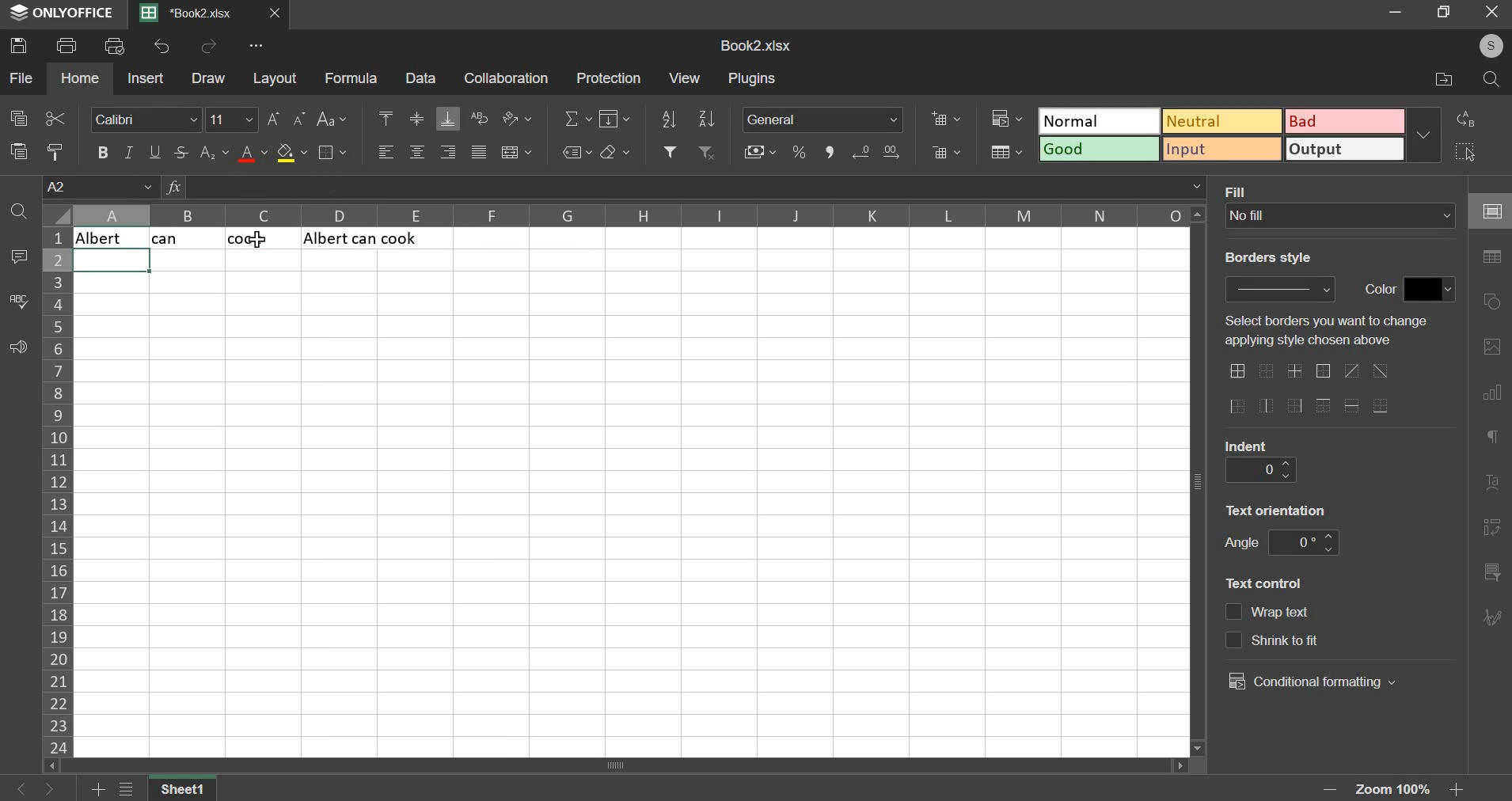 This screenshot has width=1512, height=801. What do you see at coordinates (1491, 396) in the screenshot?
I see `chart` at bounding box center [1491, 396].